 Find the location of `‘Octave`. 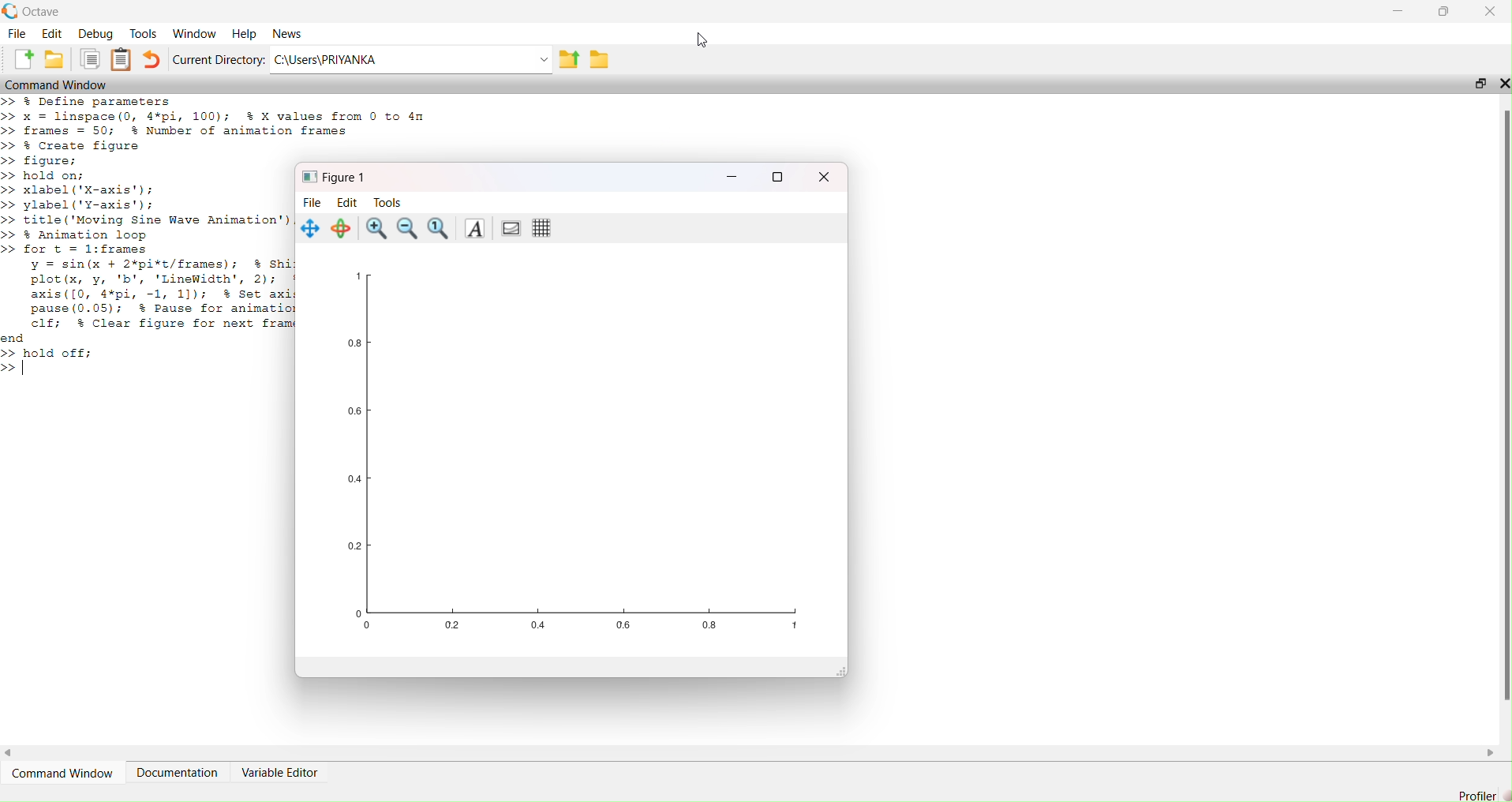

‘Octave is located at coordinates (37, 9).